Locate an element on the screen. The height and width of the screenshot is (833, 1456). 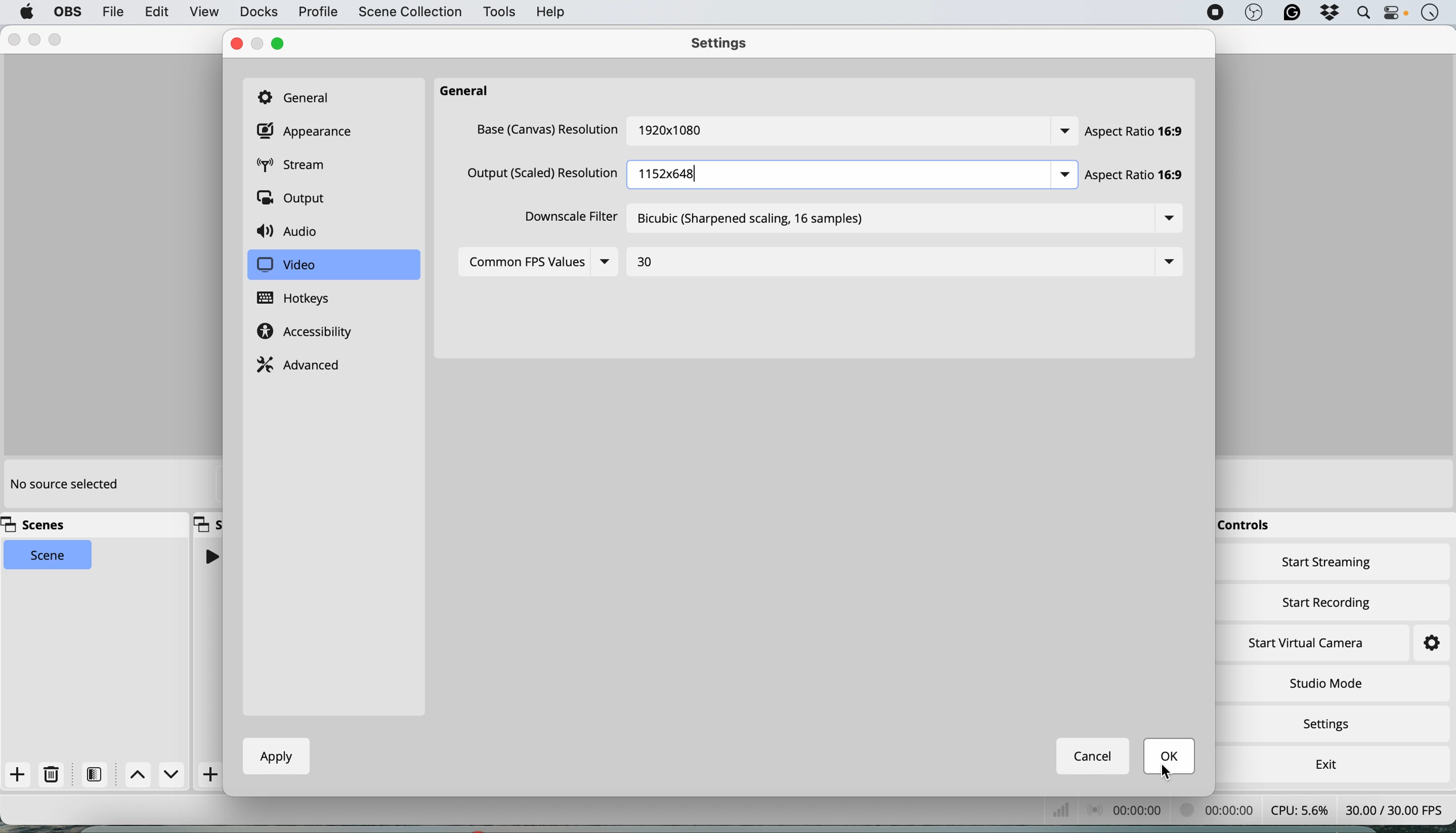
list is located at coordinates (1063, 130).